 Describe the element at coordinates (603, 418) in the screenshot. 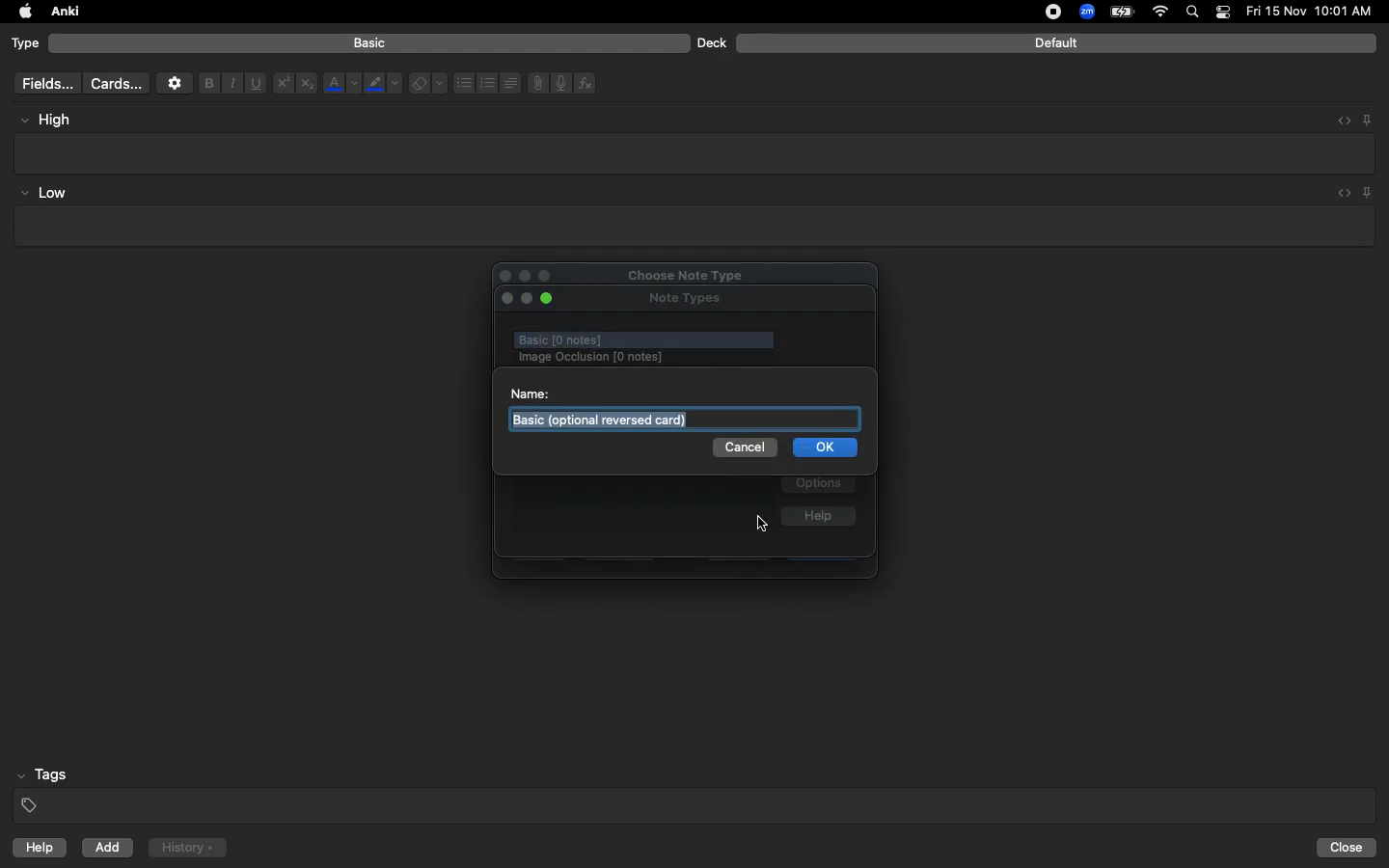

I see `Textbox` at that location.